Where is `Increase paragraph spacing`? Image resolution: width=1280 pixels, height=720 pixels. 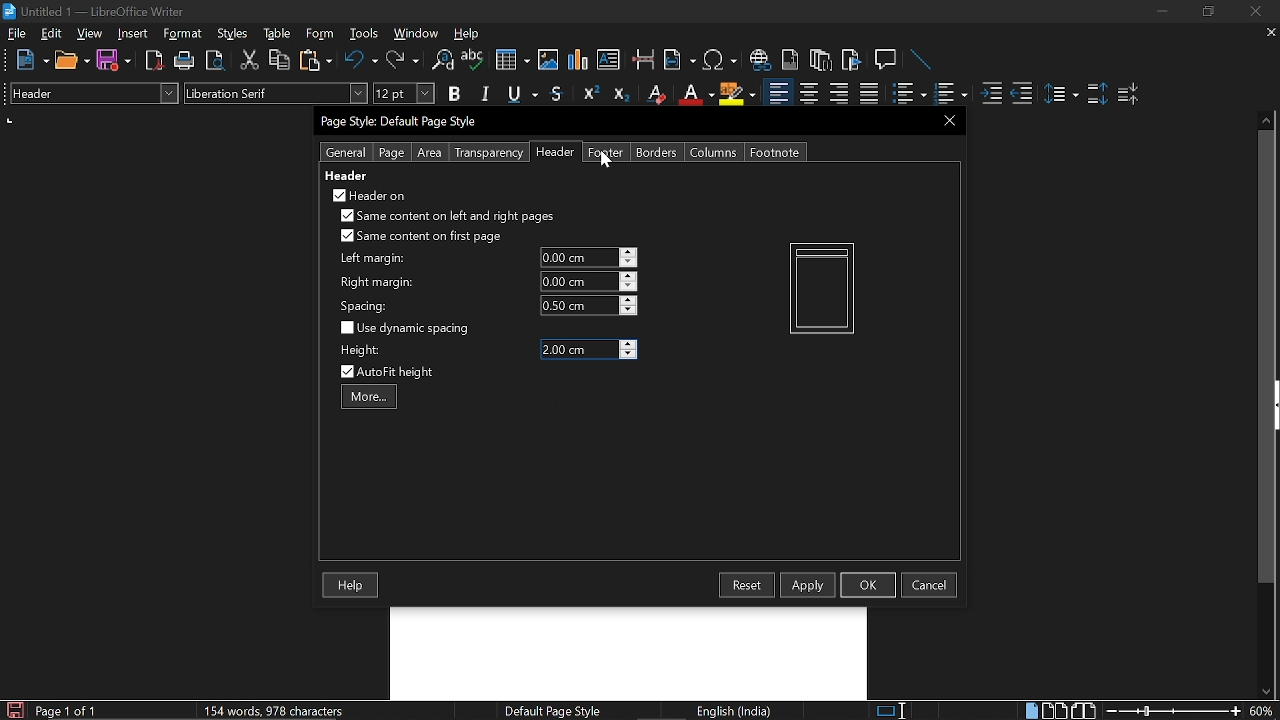 Increase paragraph spacing is located at coordinates (1097, 95).